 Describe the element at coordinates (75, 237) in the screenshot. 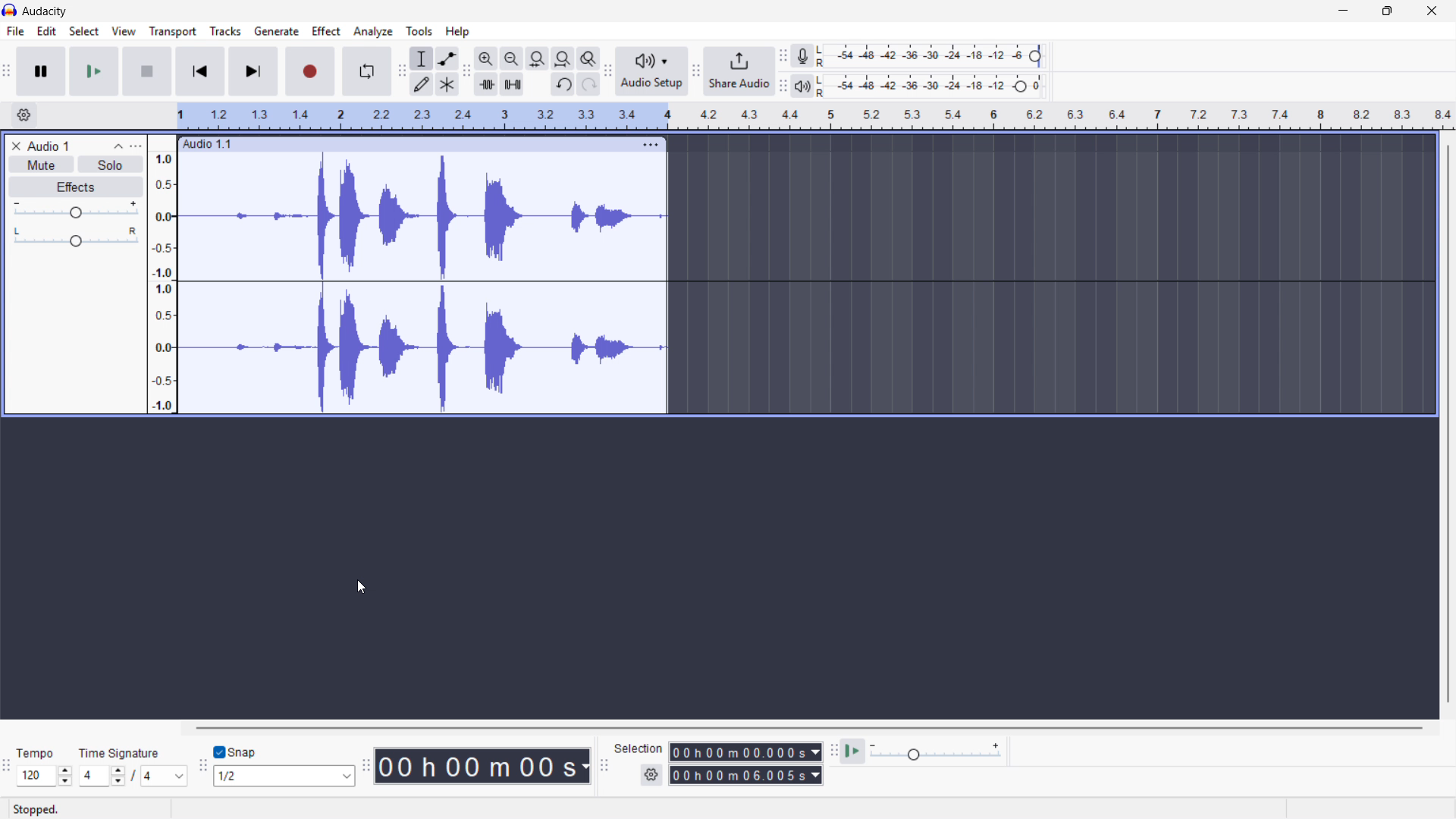

I see `pan` at that location.